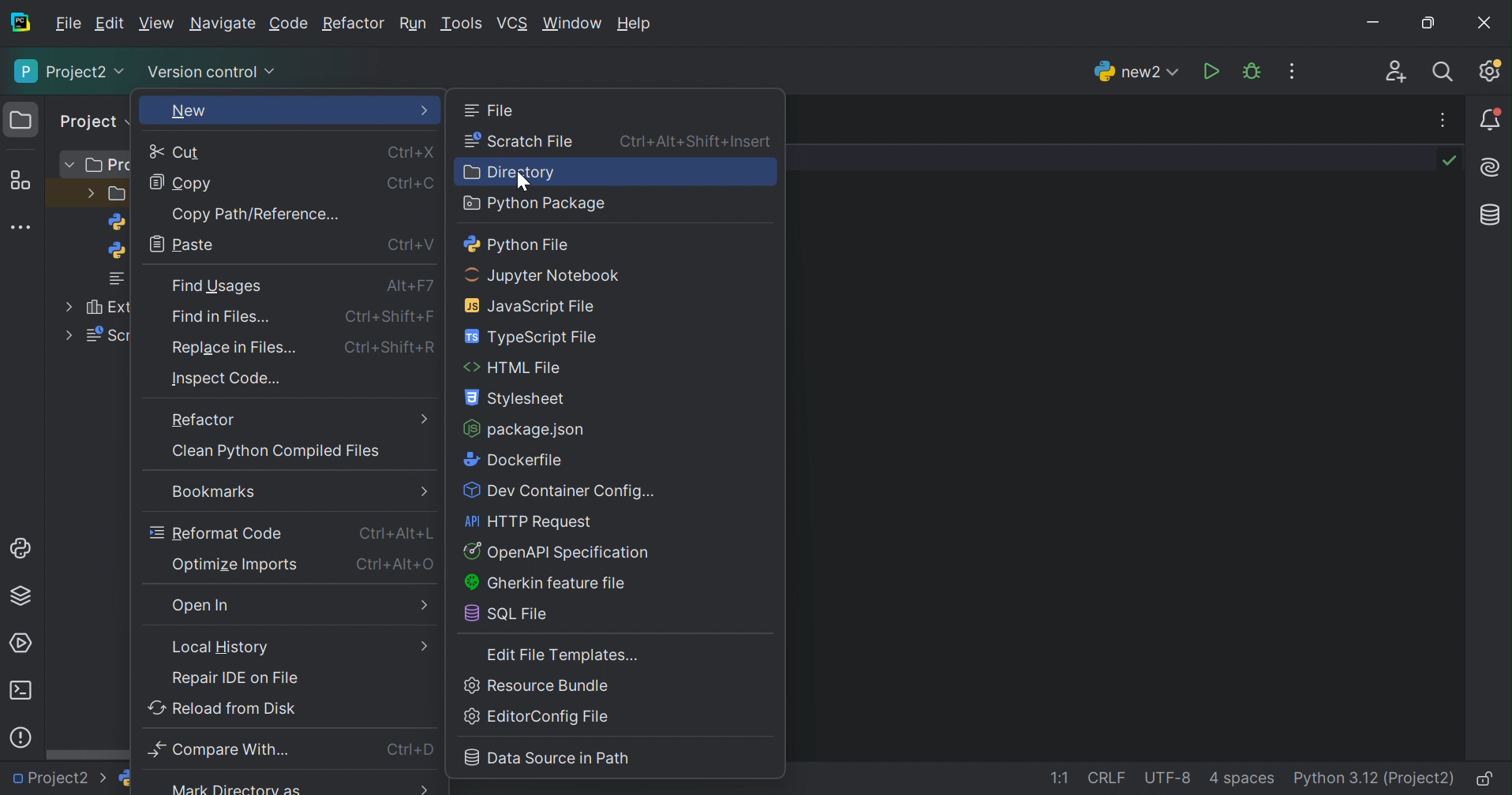 The width and height of the screenshot is (1512, 795). I want to click on Find in files, so click(224, 318).